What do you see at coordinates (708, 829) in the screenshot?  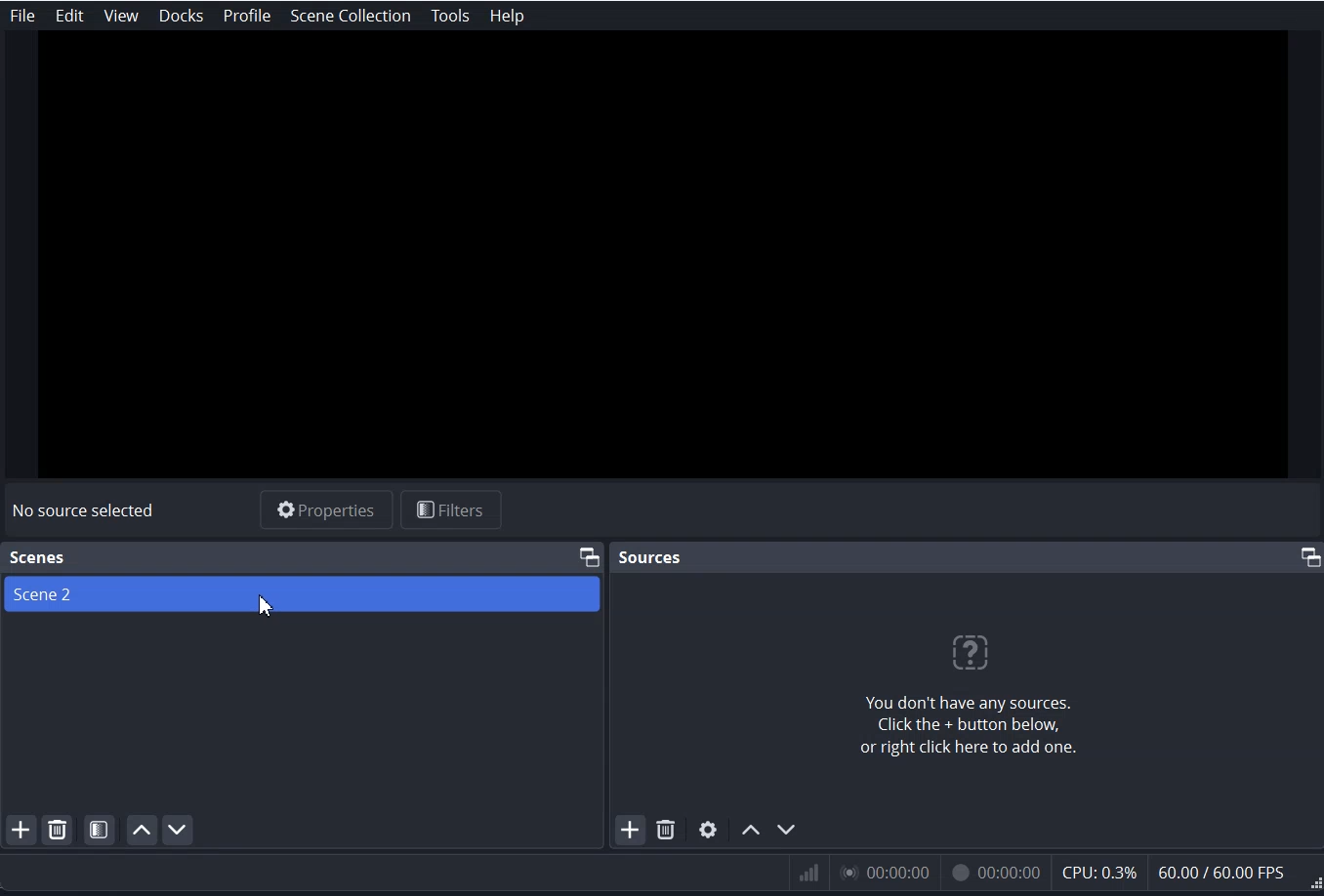 I see `Open Source Settings` at bounding box center [708, 829].